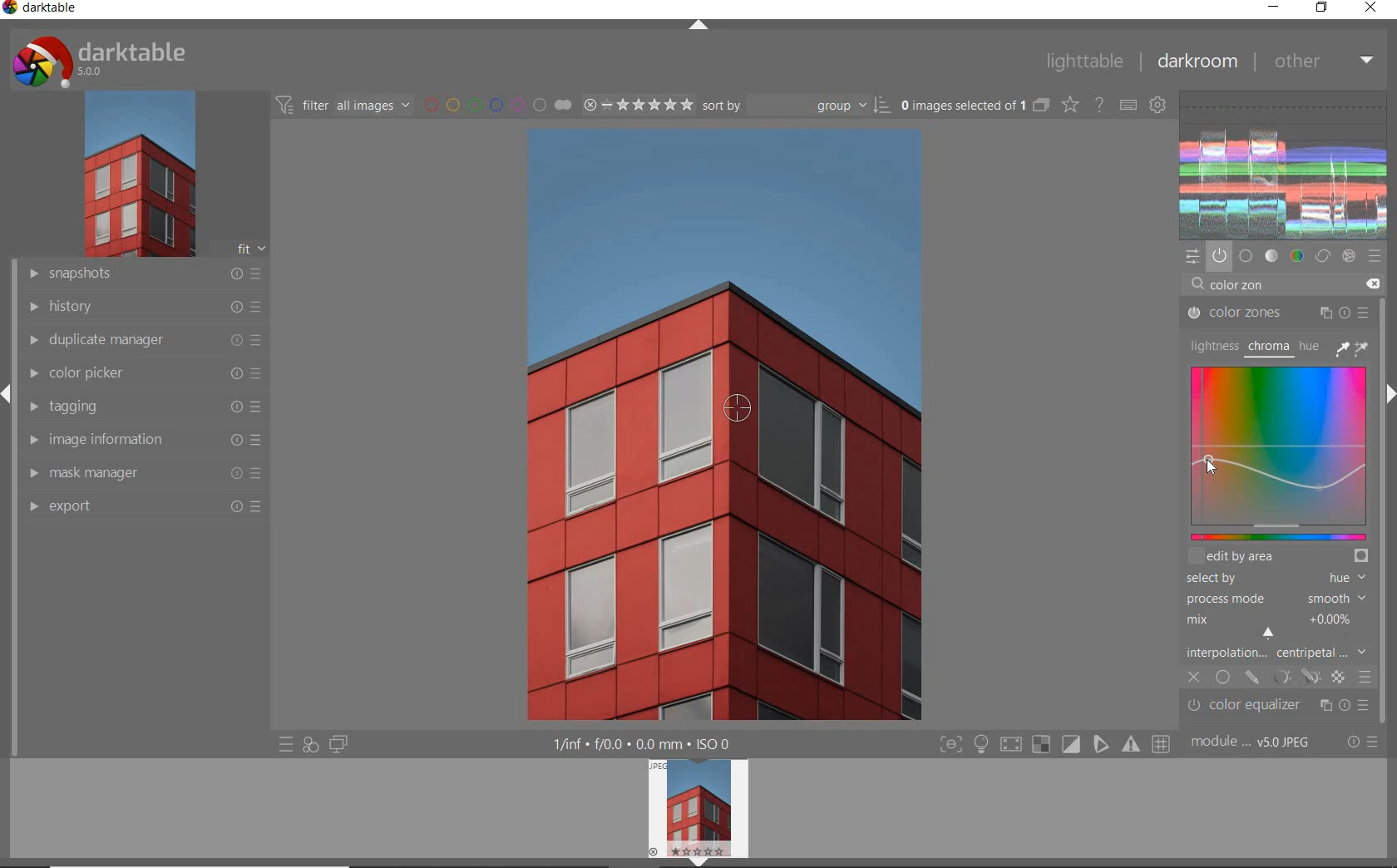 Image resolution: width=1397 pixels, height=868 pixels. I want to click on focus, so click(947, 743).